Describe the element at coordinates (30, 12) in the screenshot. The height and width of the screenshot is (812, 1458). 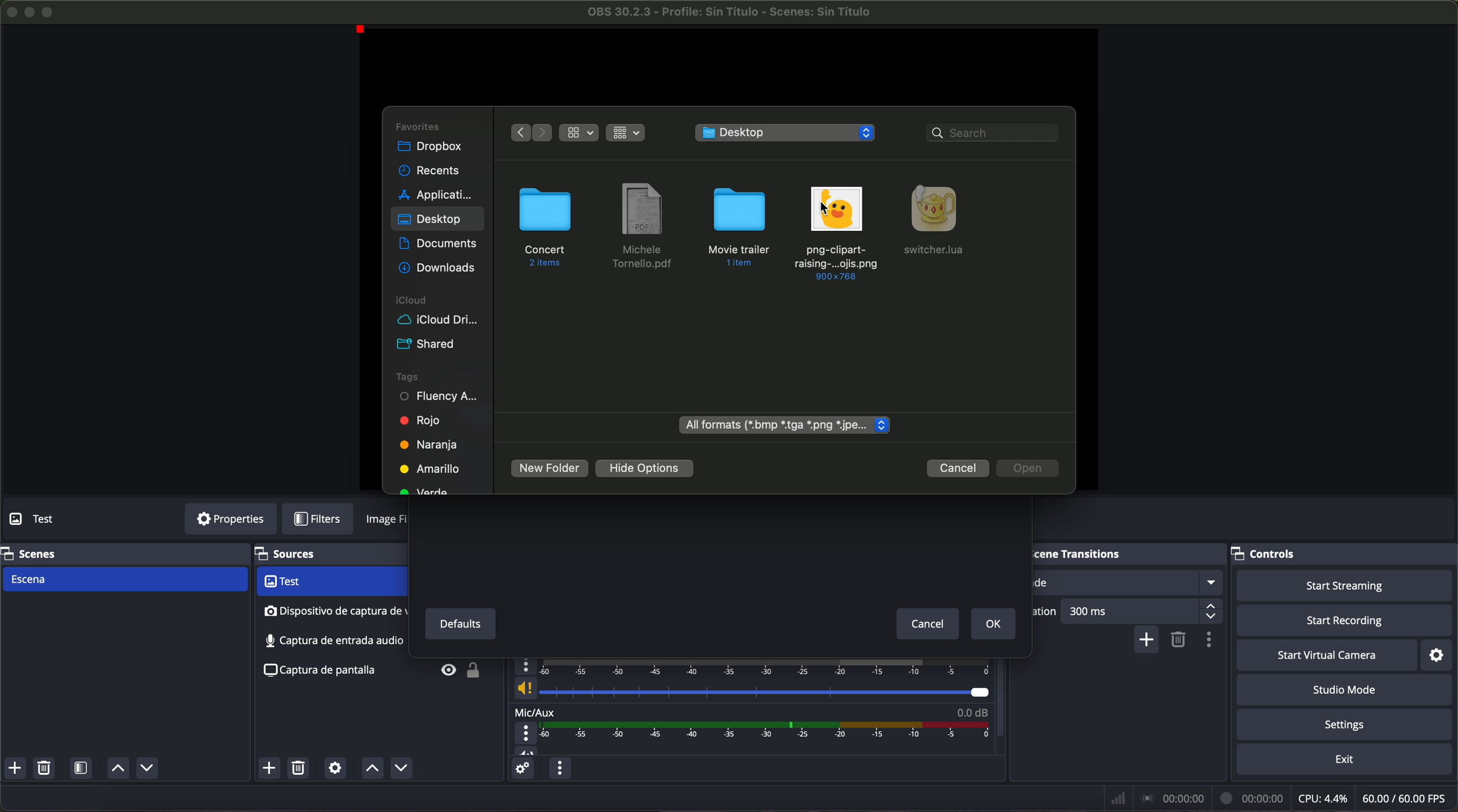
I see `minimize program` at that location.